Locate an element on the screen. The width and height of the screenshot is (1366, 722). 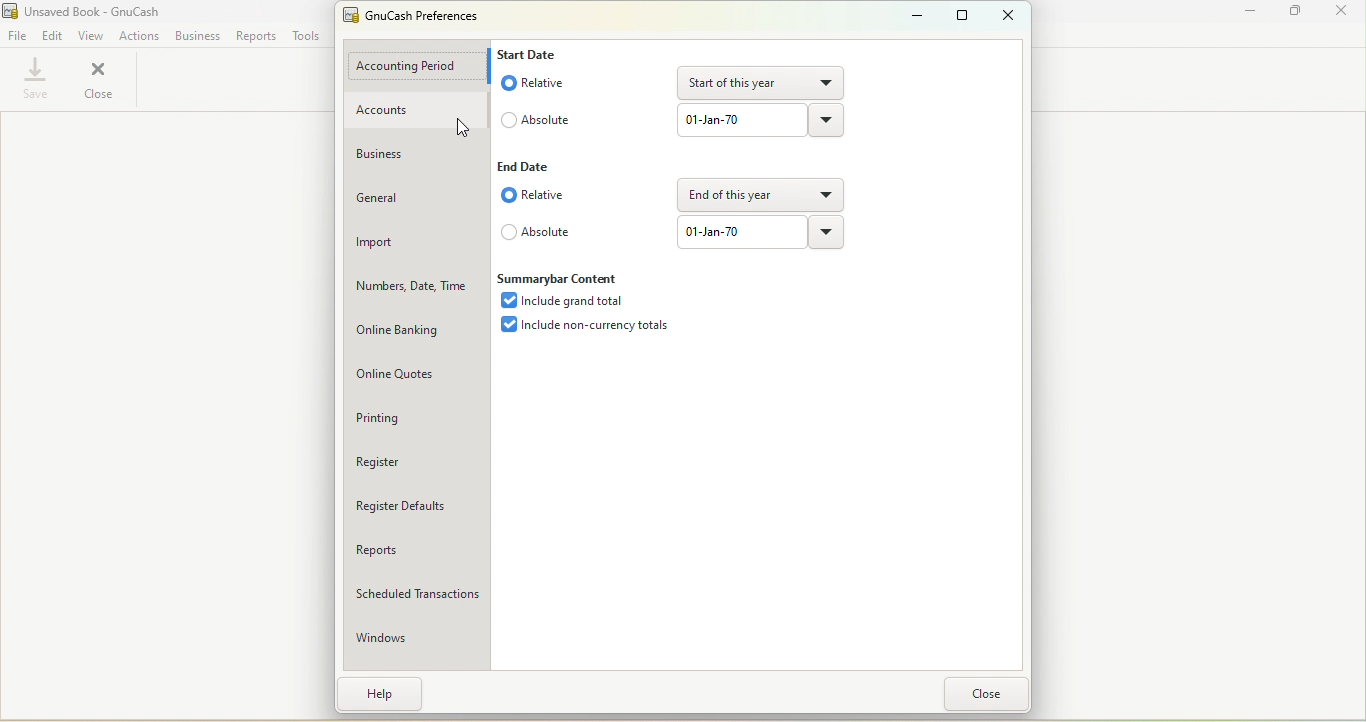
Drop down is located at coordinates (829, 81).